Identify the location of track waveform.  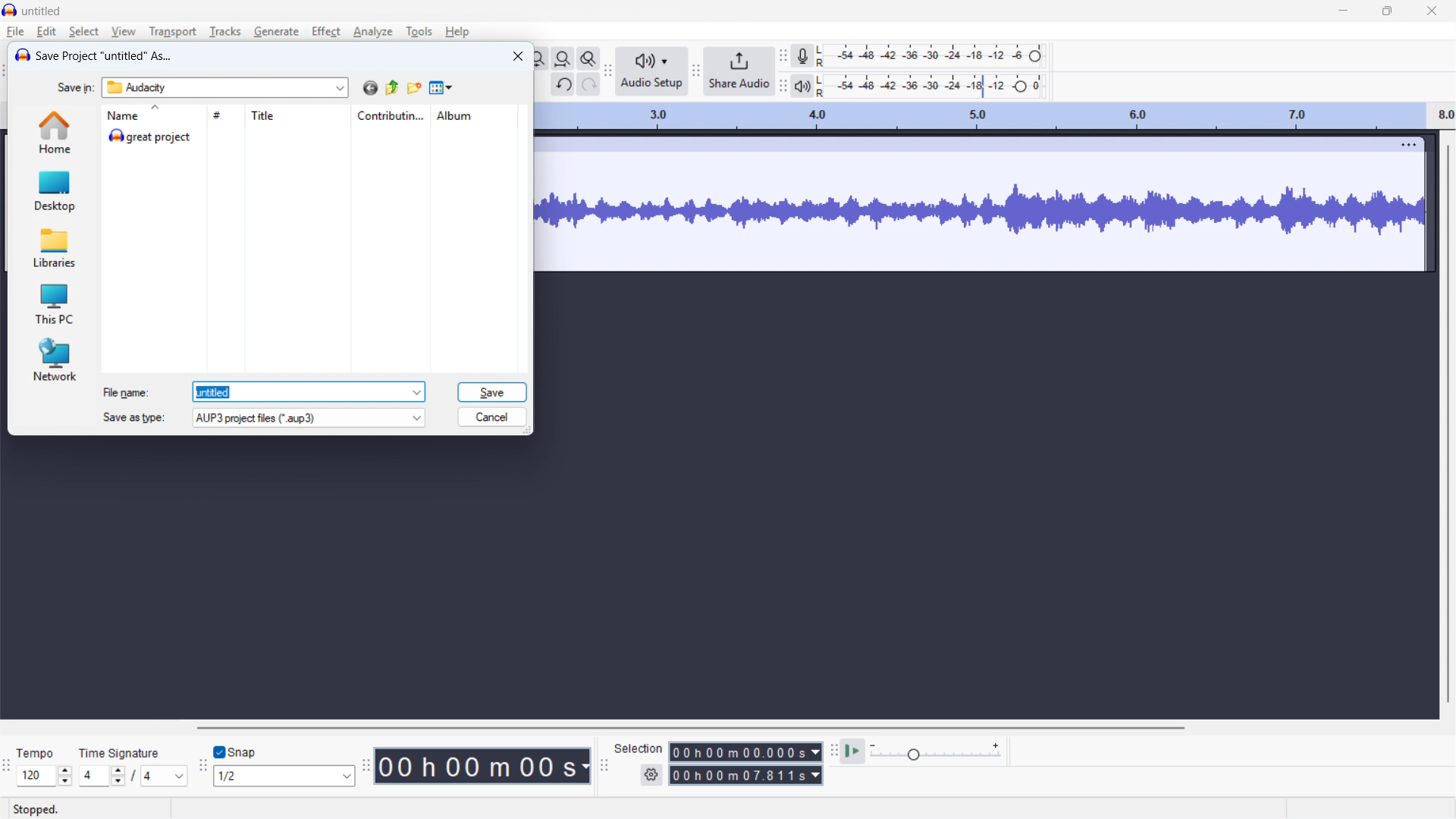
(981, 211).